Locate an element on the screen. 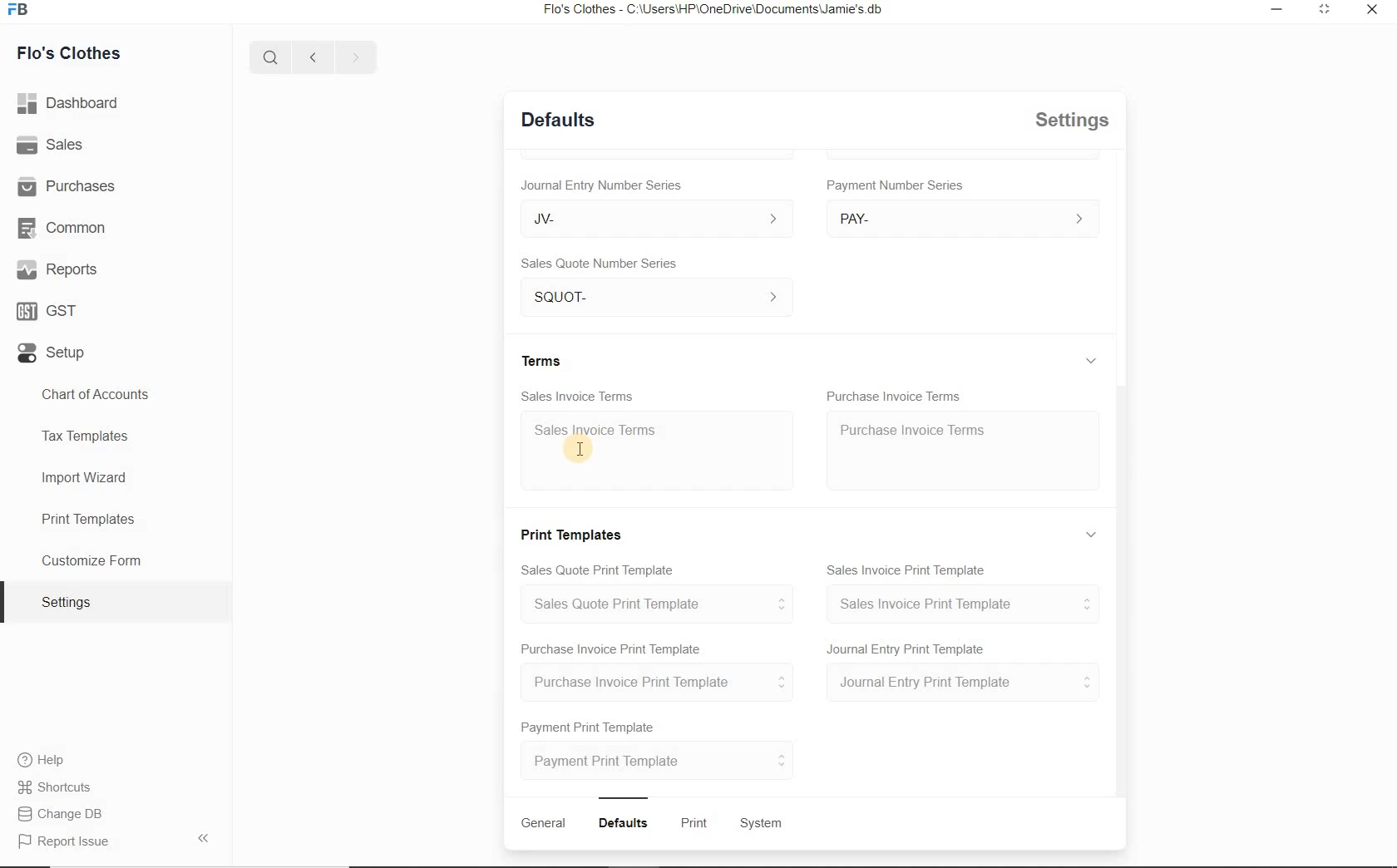 Image resolution: width=1397 pixels, height=868 pixels. Sales is located at coordinates (54, 147).